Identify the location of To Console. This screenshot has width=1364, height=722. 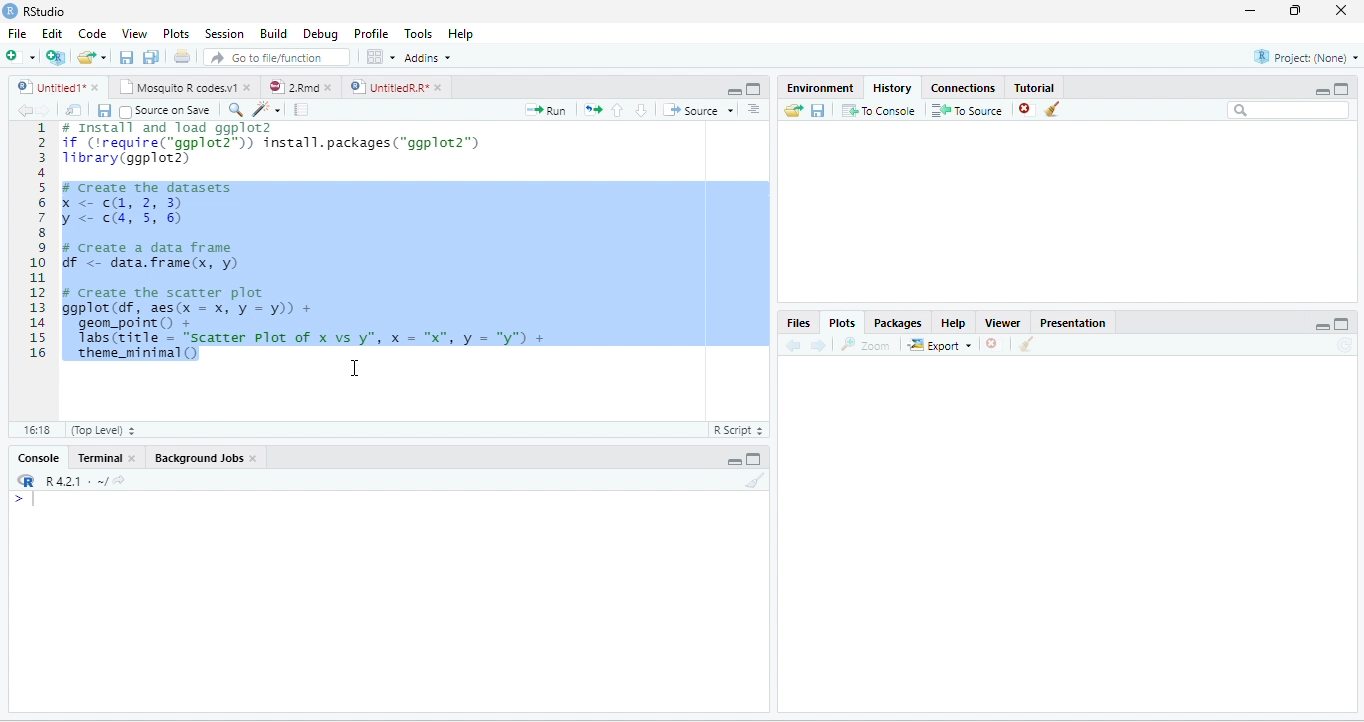
(879, 111).